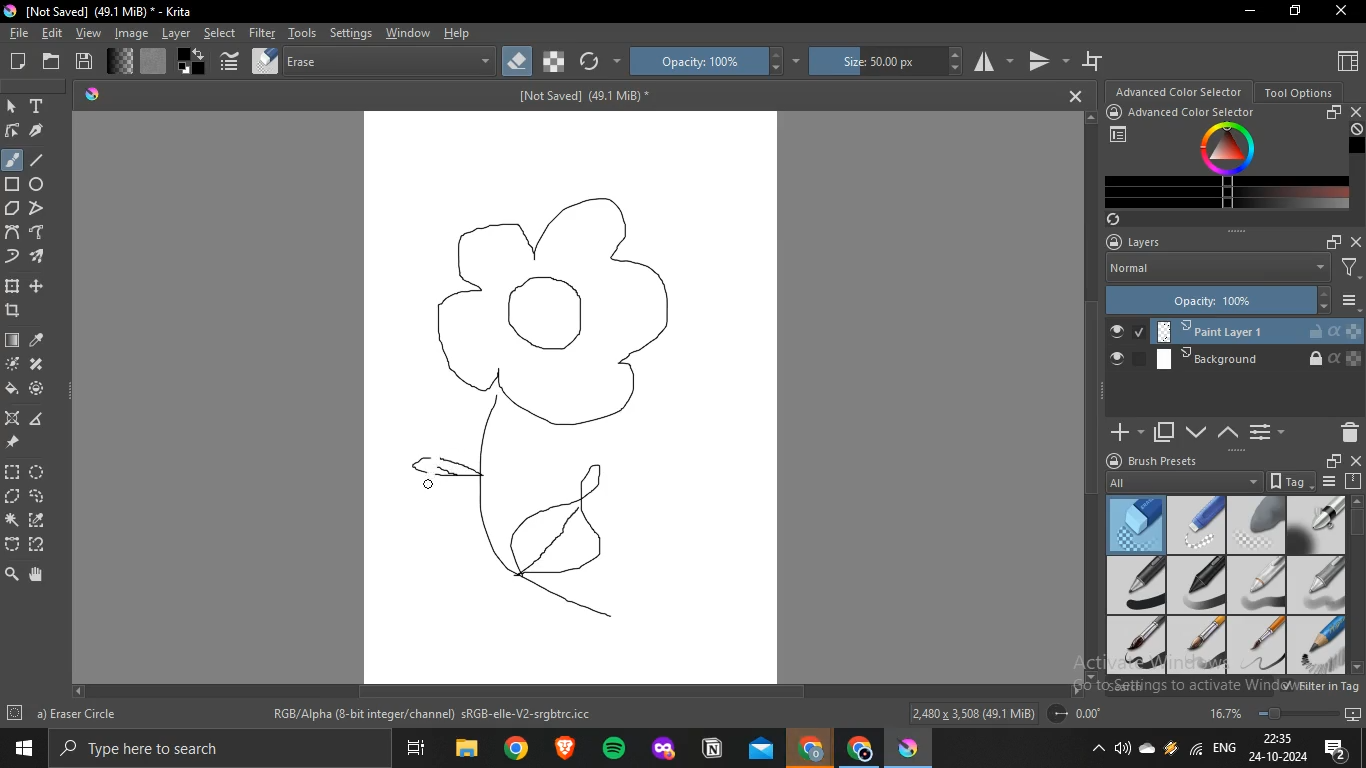  I want to click on tool options, so click(1300, 91).